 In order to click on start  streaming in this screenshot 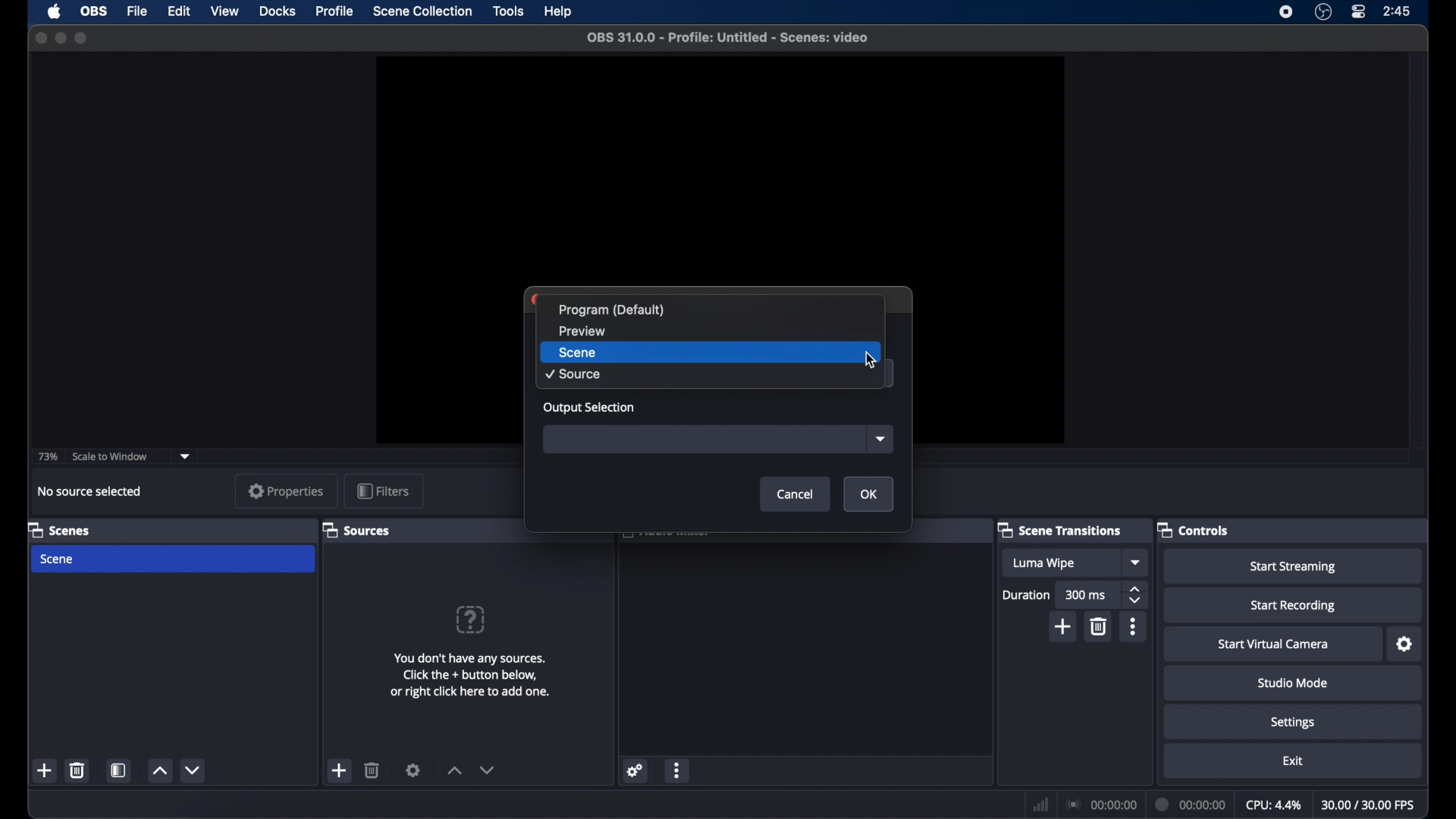, I will do `click(1294, 567)`.